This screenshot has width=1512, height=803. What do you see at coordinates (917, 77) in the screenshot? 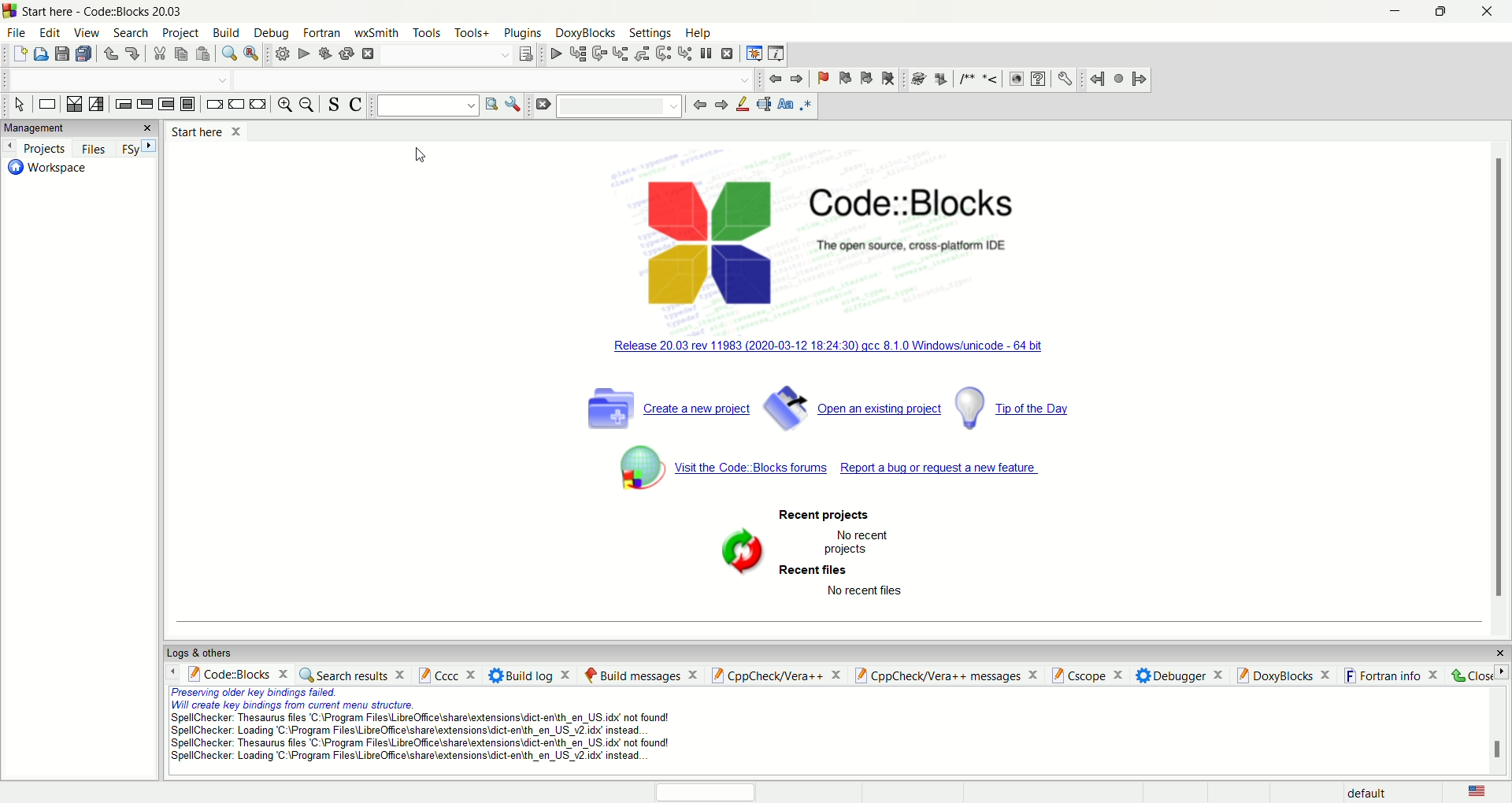
I see `Run doxywizard` at bounding box center [917, 77].